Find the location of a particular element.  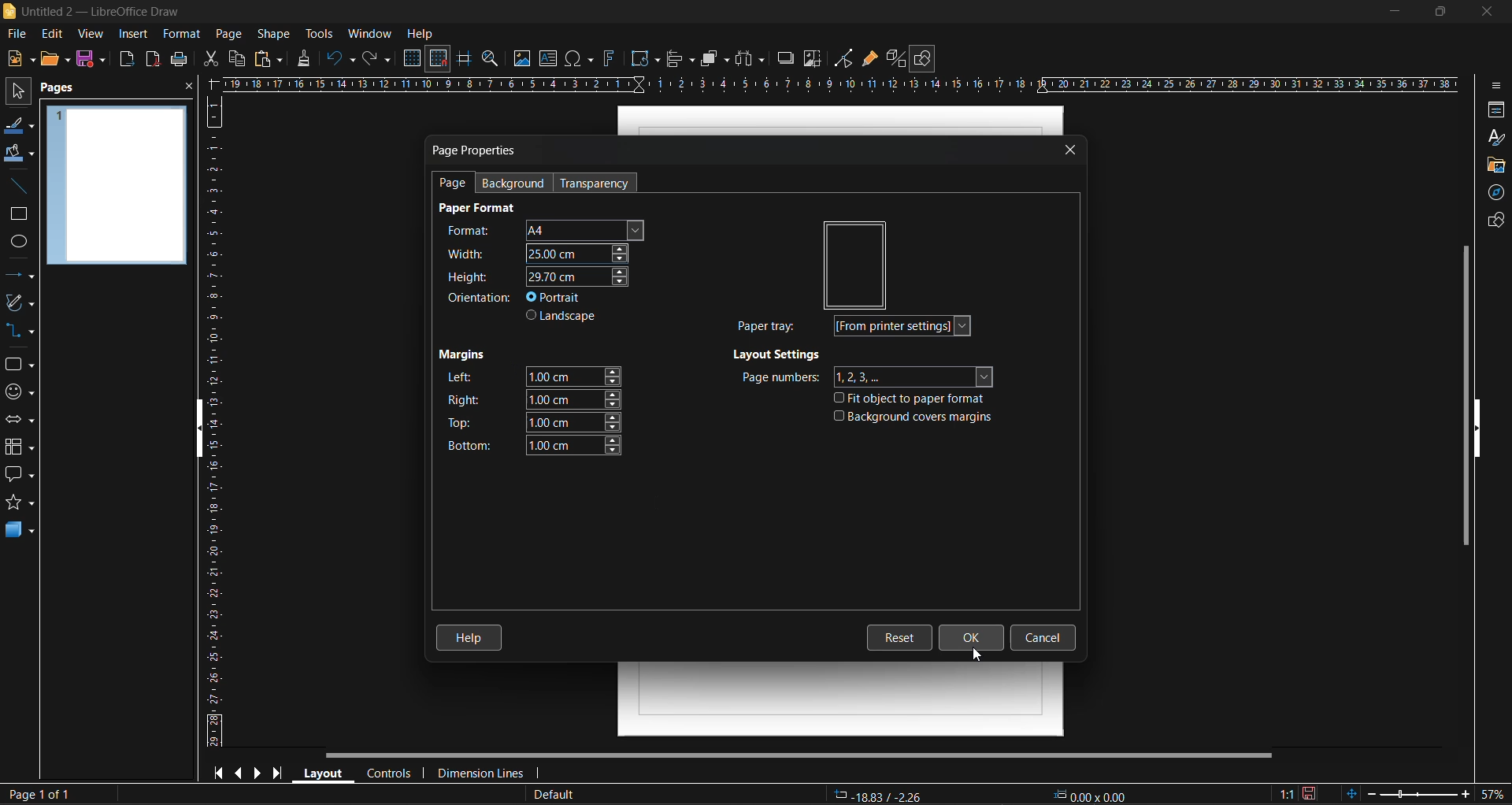

cut is located at coordinates (207, 59).